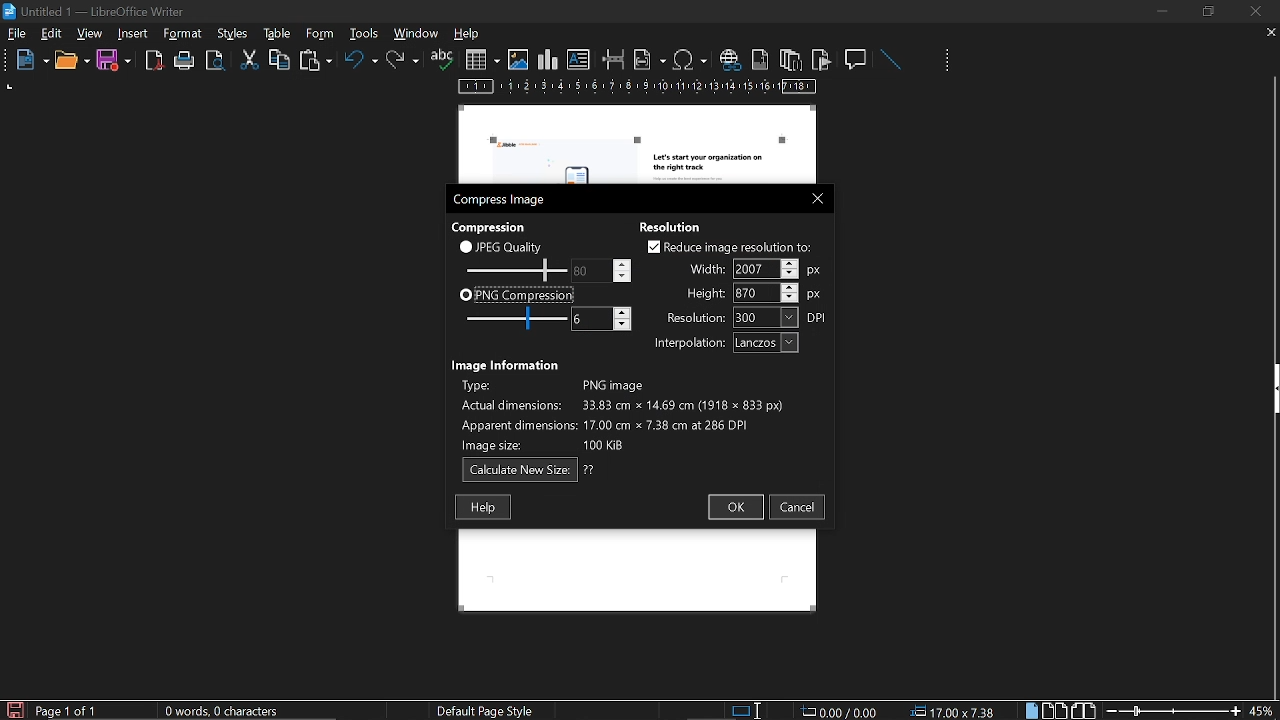 This screenshot has width=1280, height=720. What do you see at coordinates (489, 710) in the screenshot?
I see `page style` at bounding box center [489, 710].